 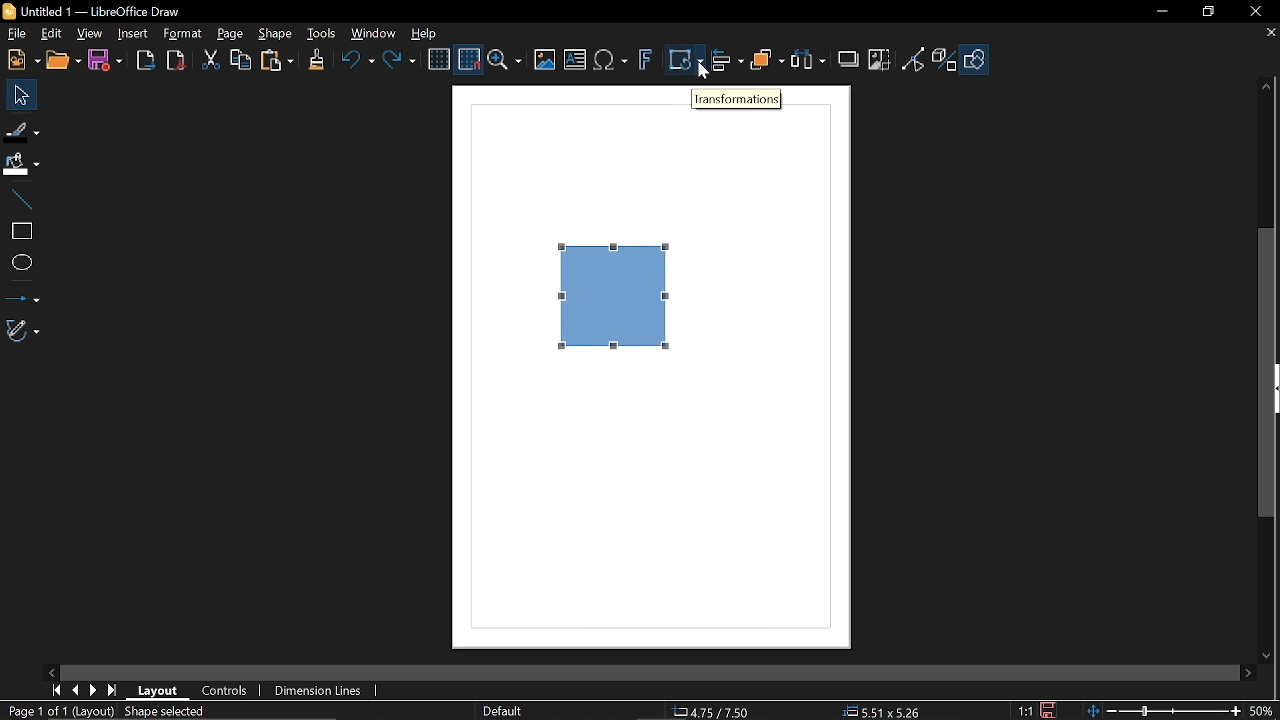 What do you see at coordinates (1162, 711) in the screenshot?
I see `Change zoom` at bounding box center [1162, 711].